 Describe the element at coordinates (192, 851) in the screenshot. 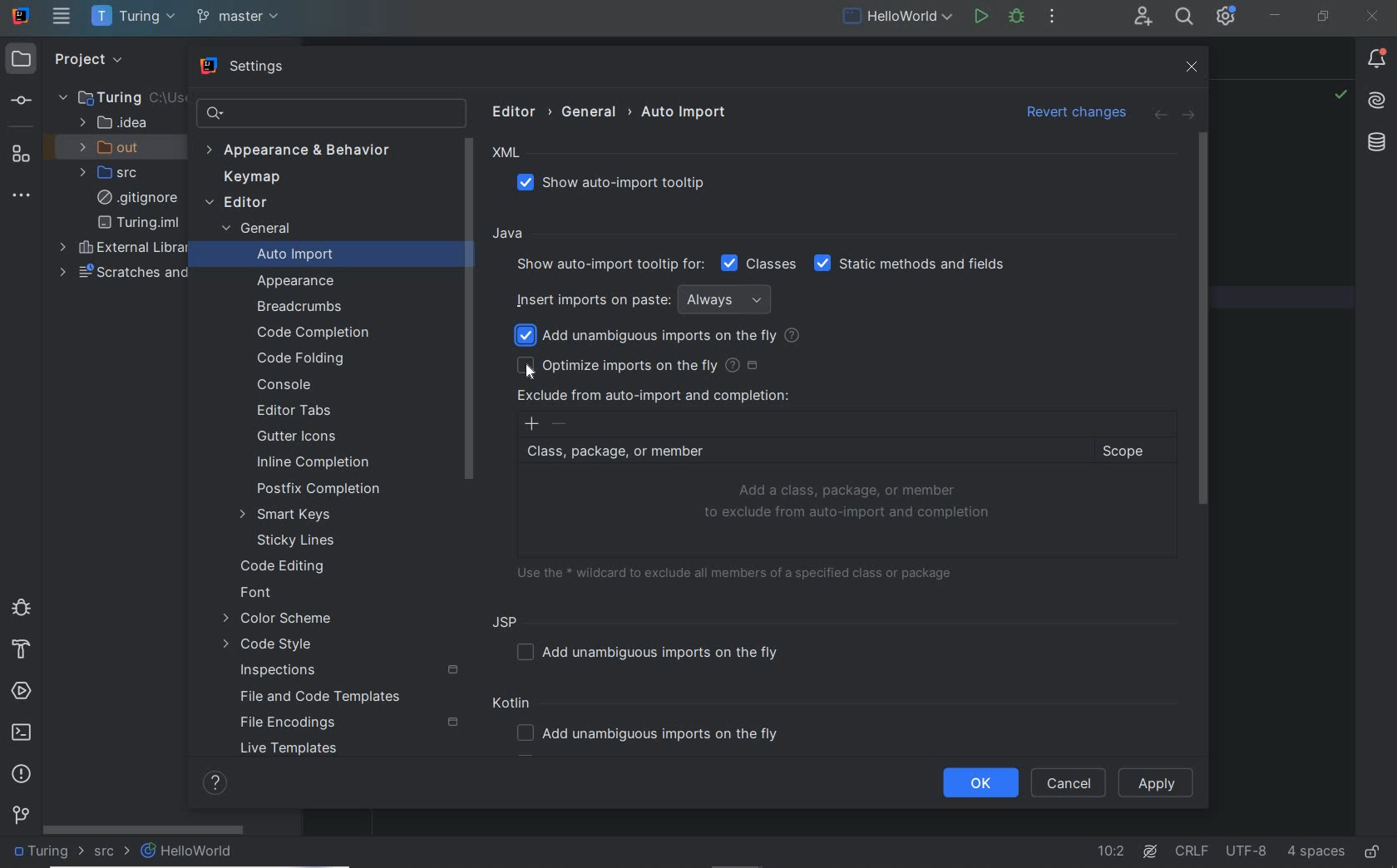

I see `HELLOWORLD(FILE NAME)` at that location.